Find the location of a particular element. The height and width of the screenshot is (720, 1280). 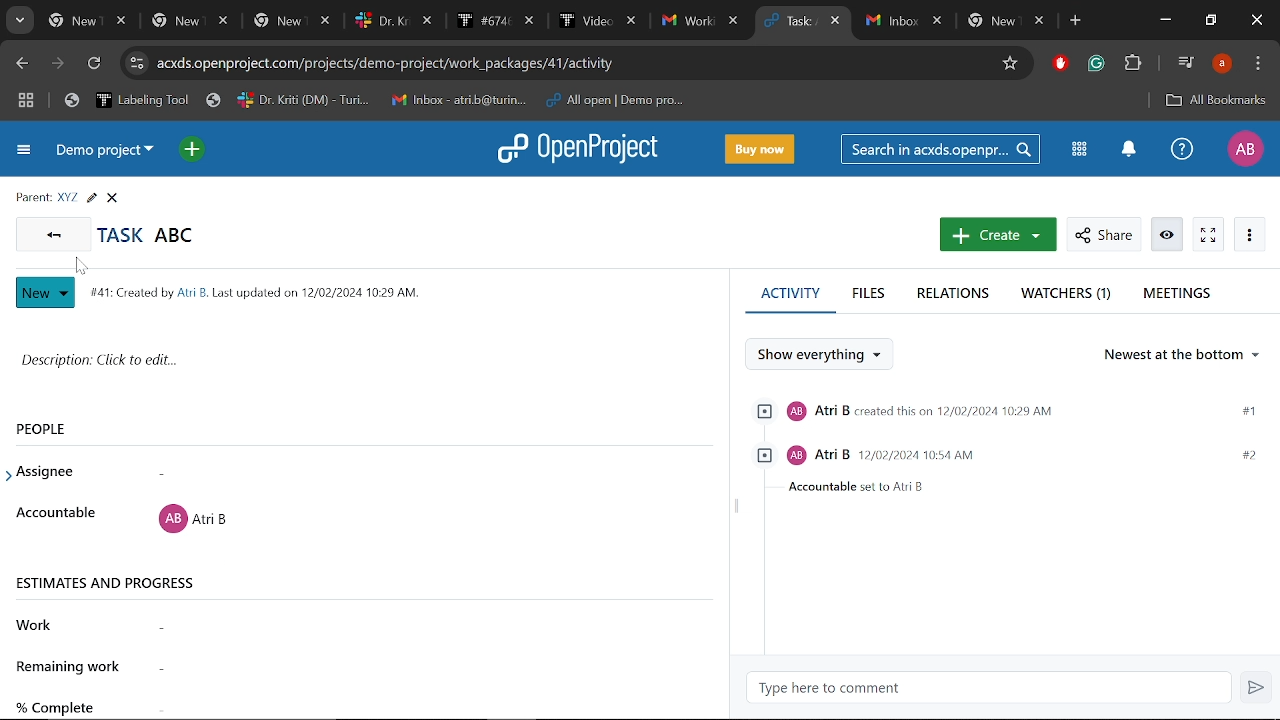

Task abc is located at coordinates (160, 236).